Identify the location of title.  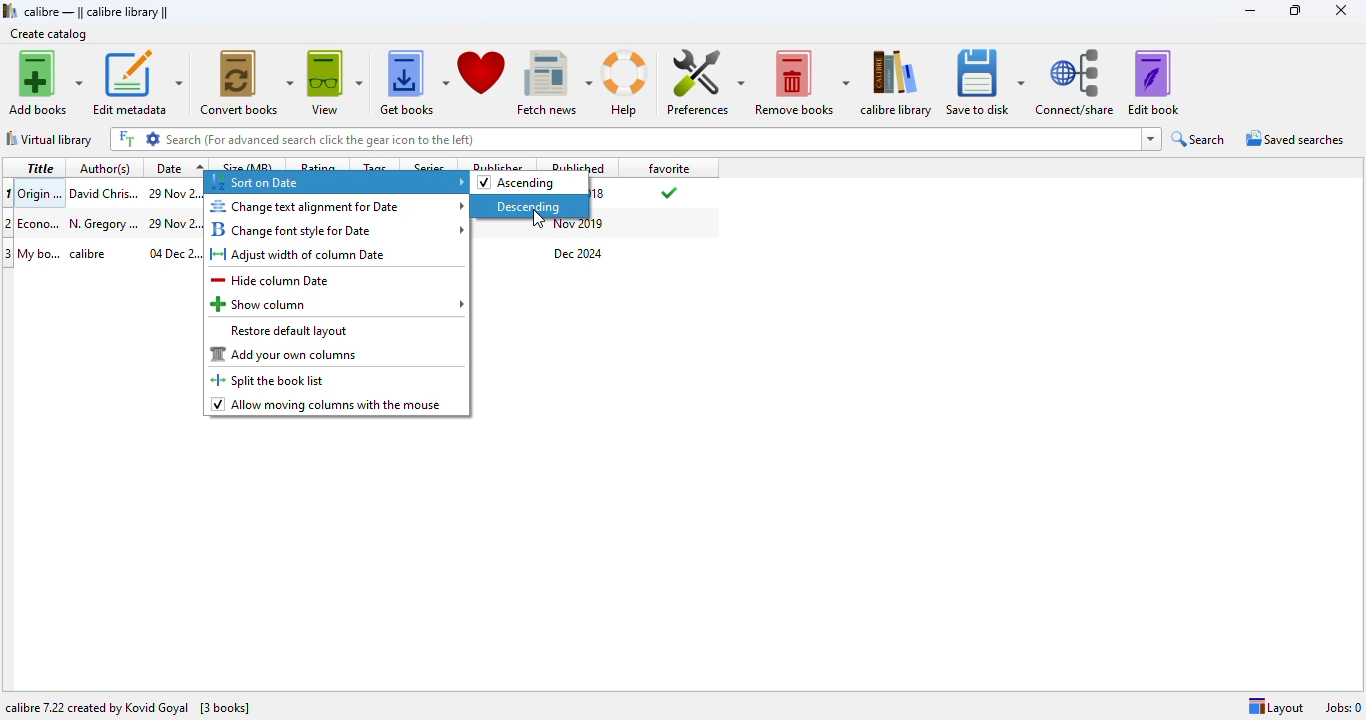
(40, 193).